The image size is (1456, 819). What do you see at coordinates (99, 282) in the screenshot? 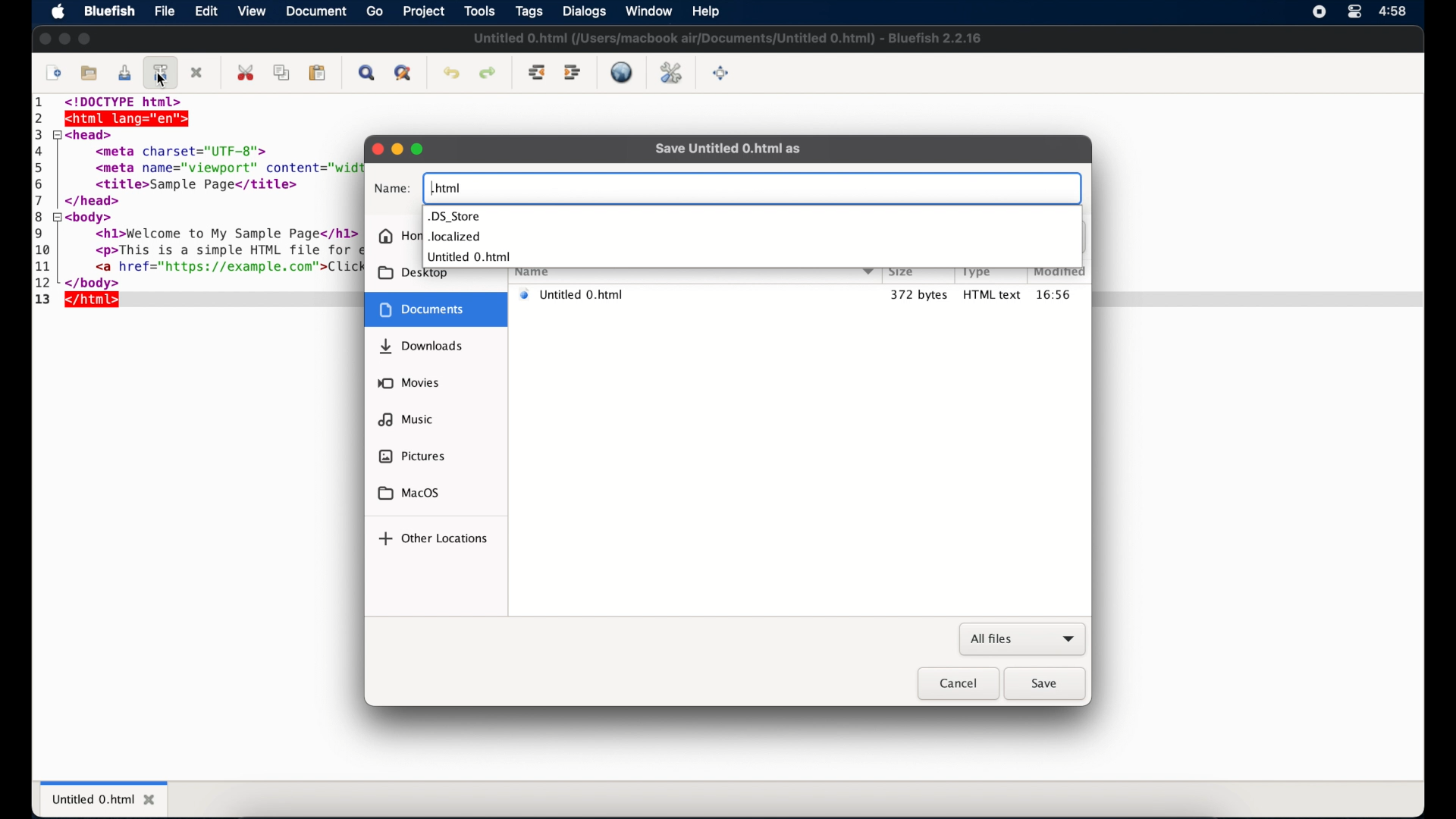
I see `</body>` at bounding box center [99, 282].